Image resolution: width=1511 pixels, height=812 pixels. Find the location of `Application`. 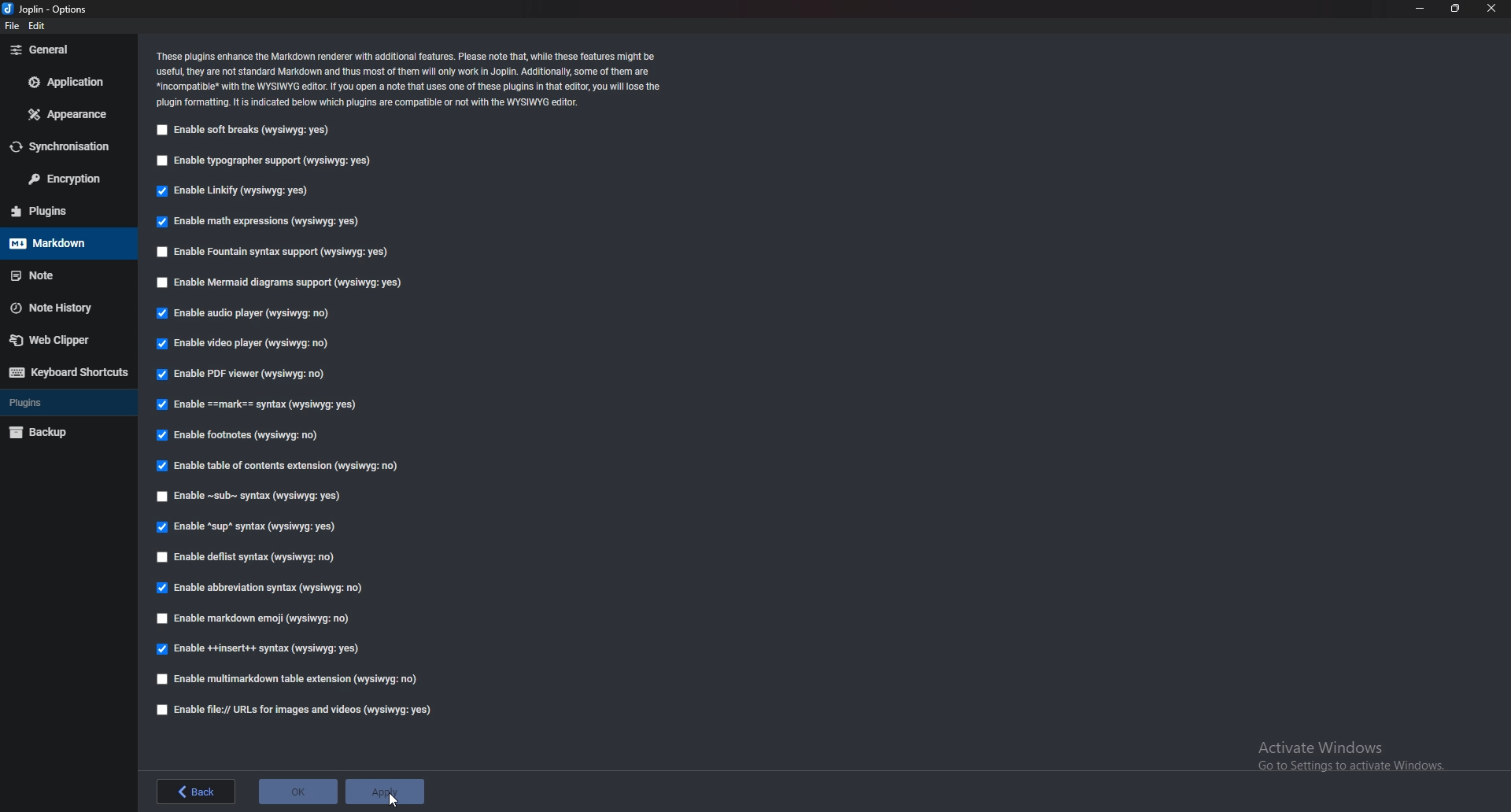

Application is located at coordinates (67, 83).